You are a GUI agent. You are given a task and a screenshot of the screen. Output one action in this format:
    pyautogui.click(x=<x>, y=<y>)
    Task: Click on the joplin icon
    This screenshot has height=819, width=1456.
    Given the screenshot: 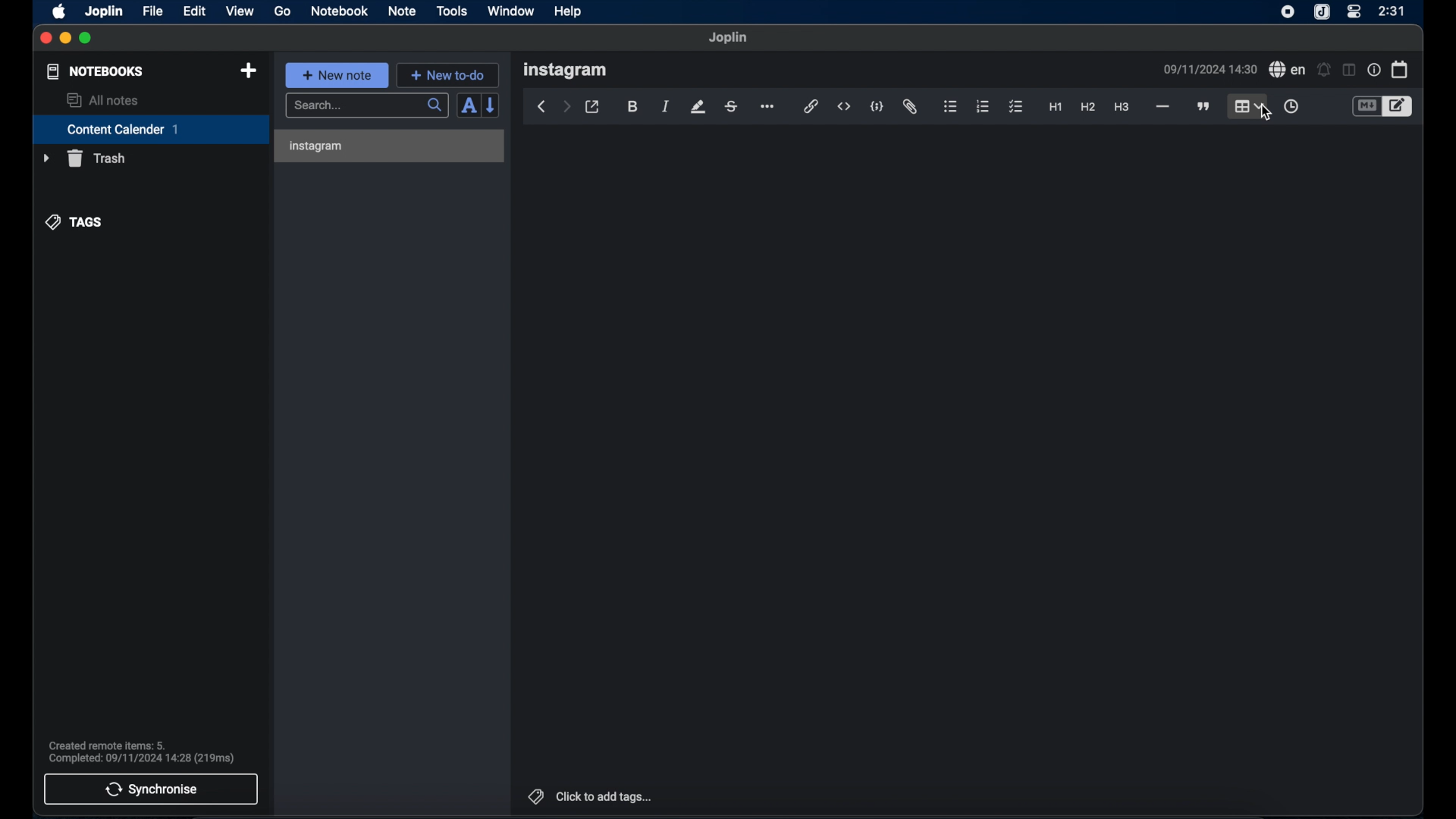 What is the action you would take?
    pyautogui.click(x=1321, y=12)
    